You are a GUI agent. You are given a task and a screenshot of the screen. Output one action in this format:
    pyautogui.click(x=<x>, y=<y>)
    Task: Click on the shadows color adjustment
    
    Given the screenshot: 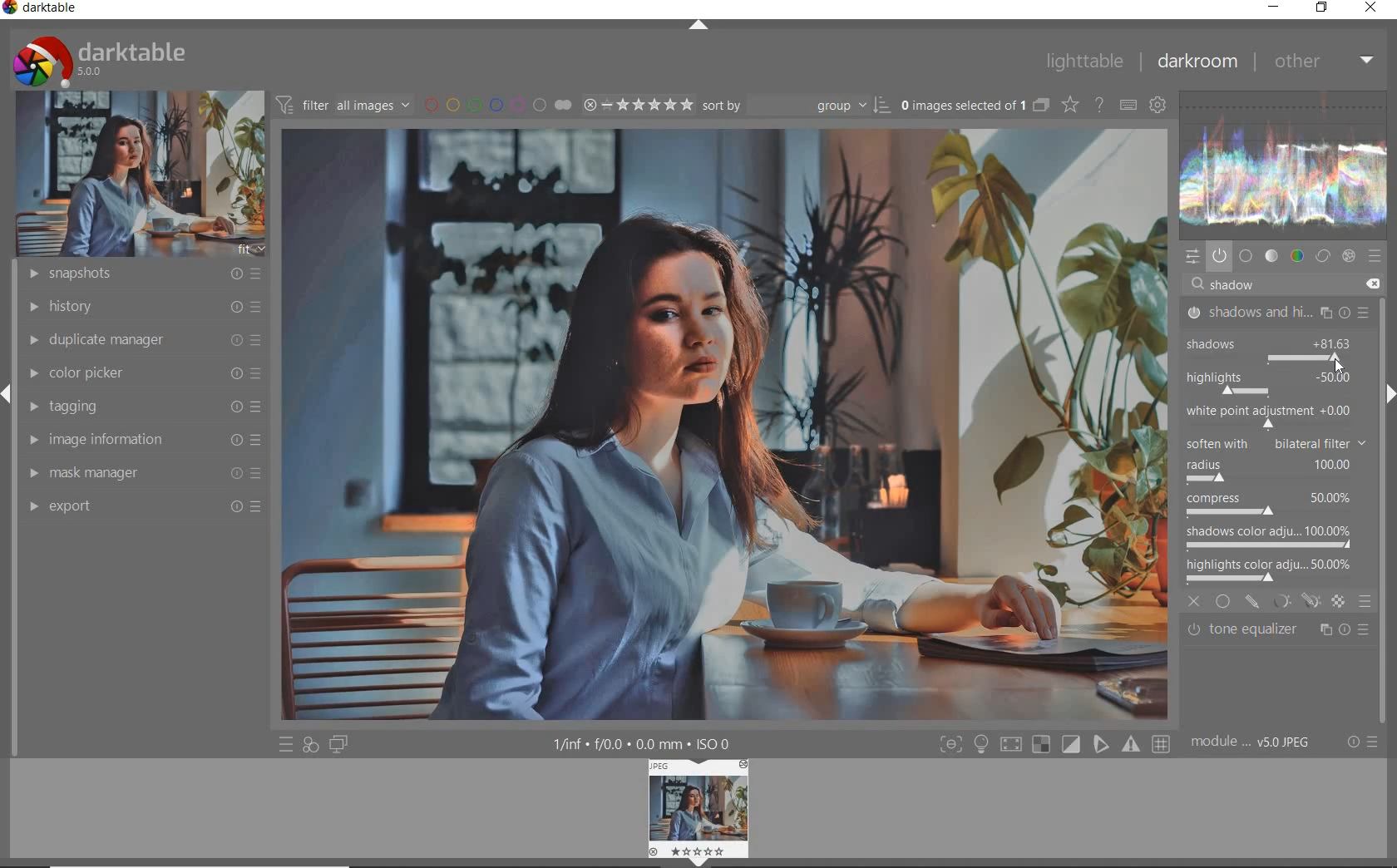 What is the action you would take?
    pyautogui.click(x=1269, y=535)
    